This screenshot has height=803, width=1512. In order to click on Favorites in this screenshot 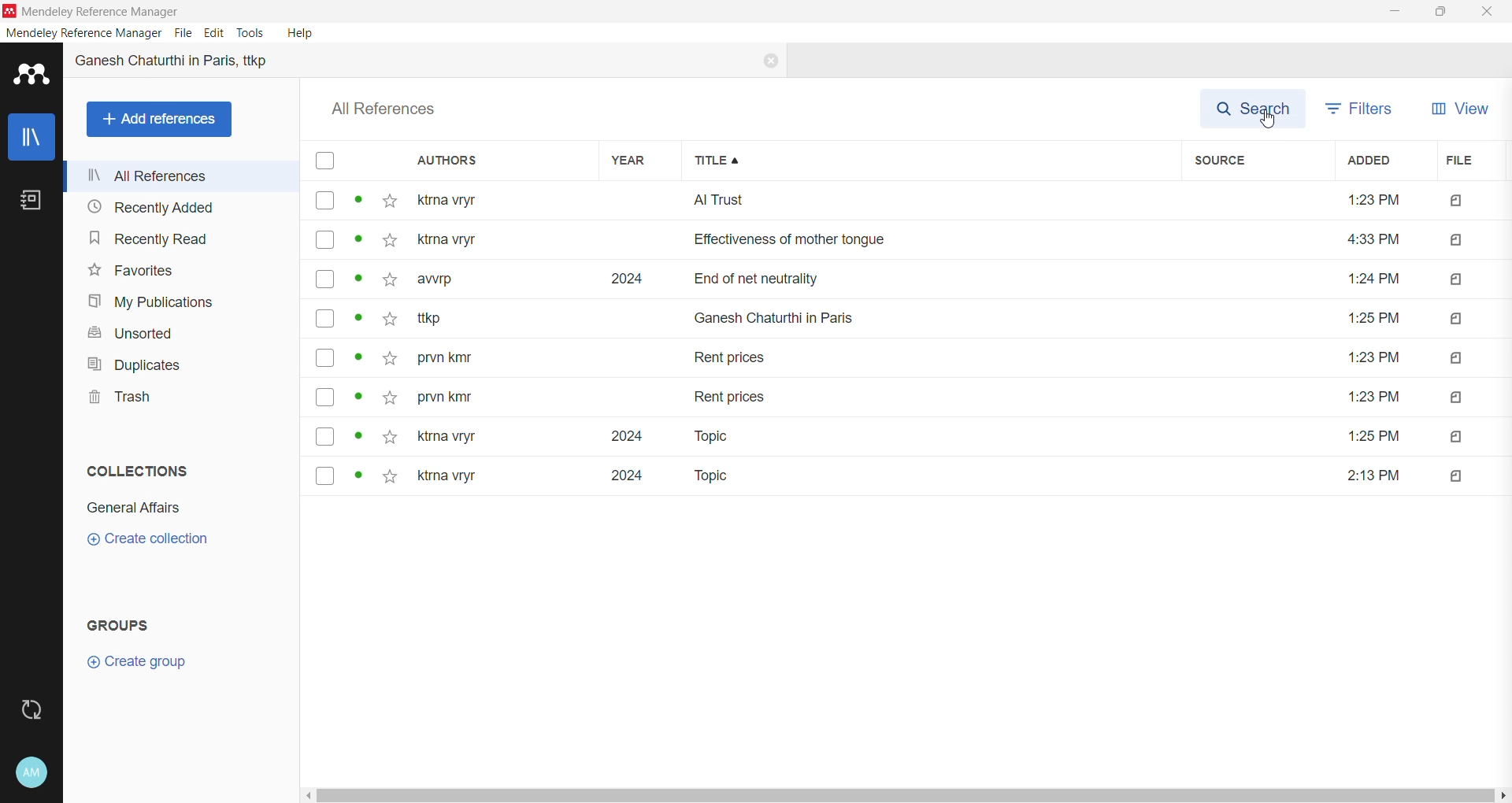, I will do `click(131, 271)`.